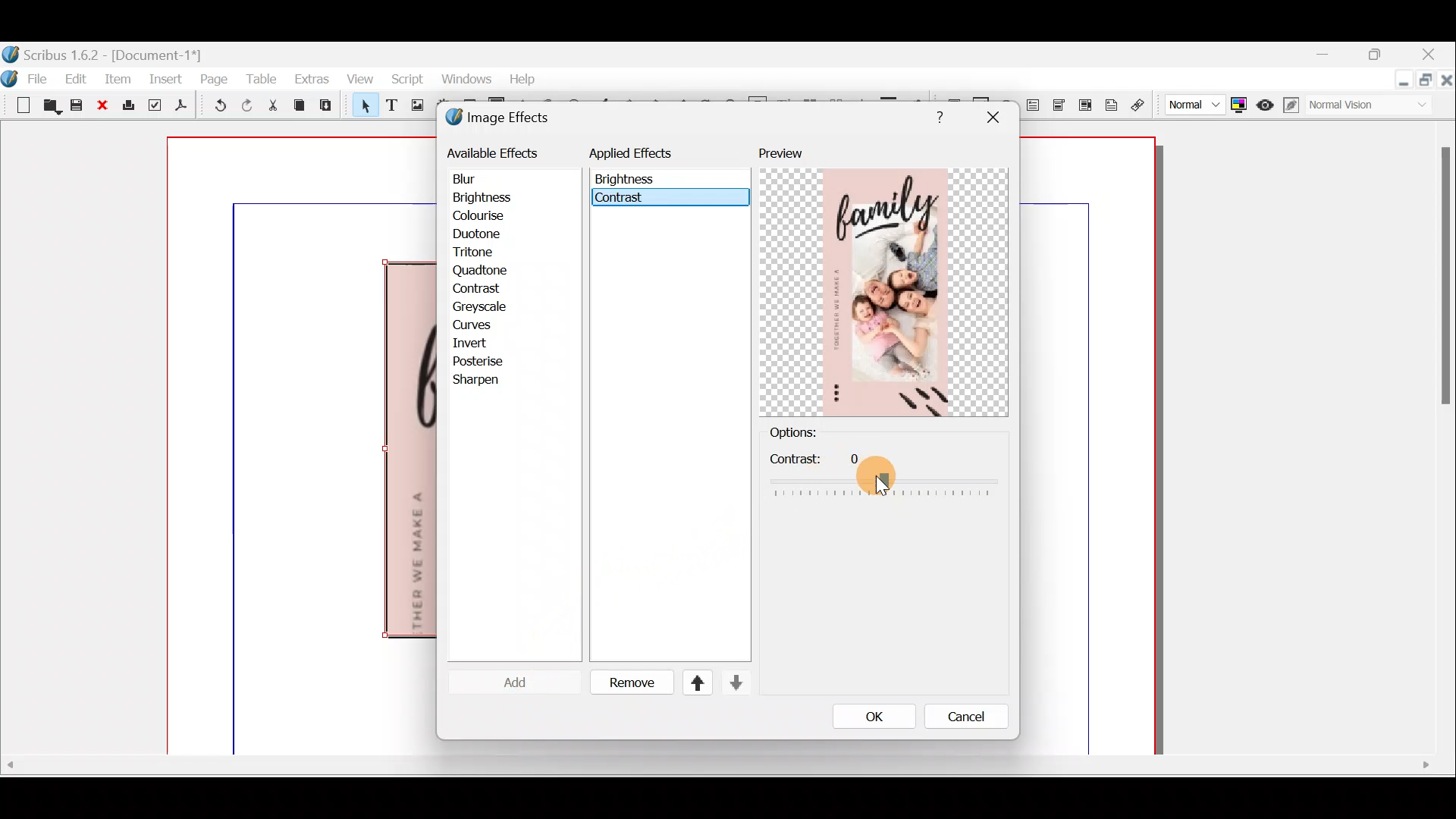 The width and height of the screenshot is (1456, 819). What do you see at coordinates (971, 717) in the screenshot?
I see `Cancel` at bounding box center [971, 717].